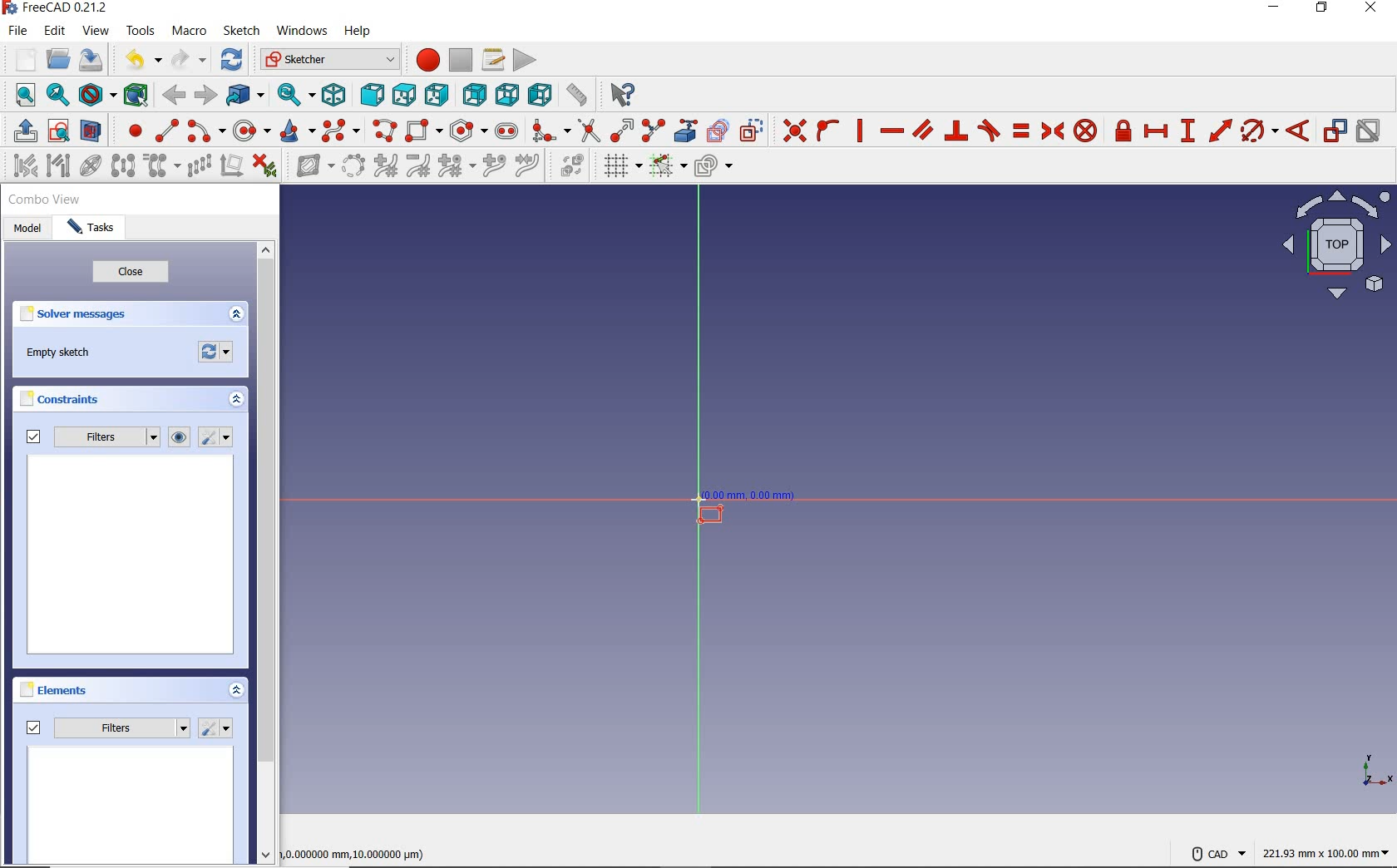 Image resolution: width=1397 pixels, height=868 pixels. I want to click on view section, so click(91, 131).